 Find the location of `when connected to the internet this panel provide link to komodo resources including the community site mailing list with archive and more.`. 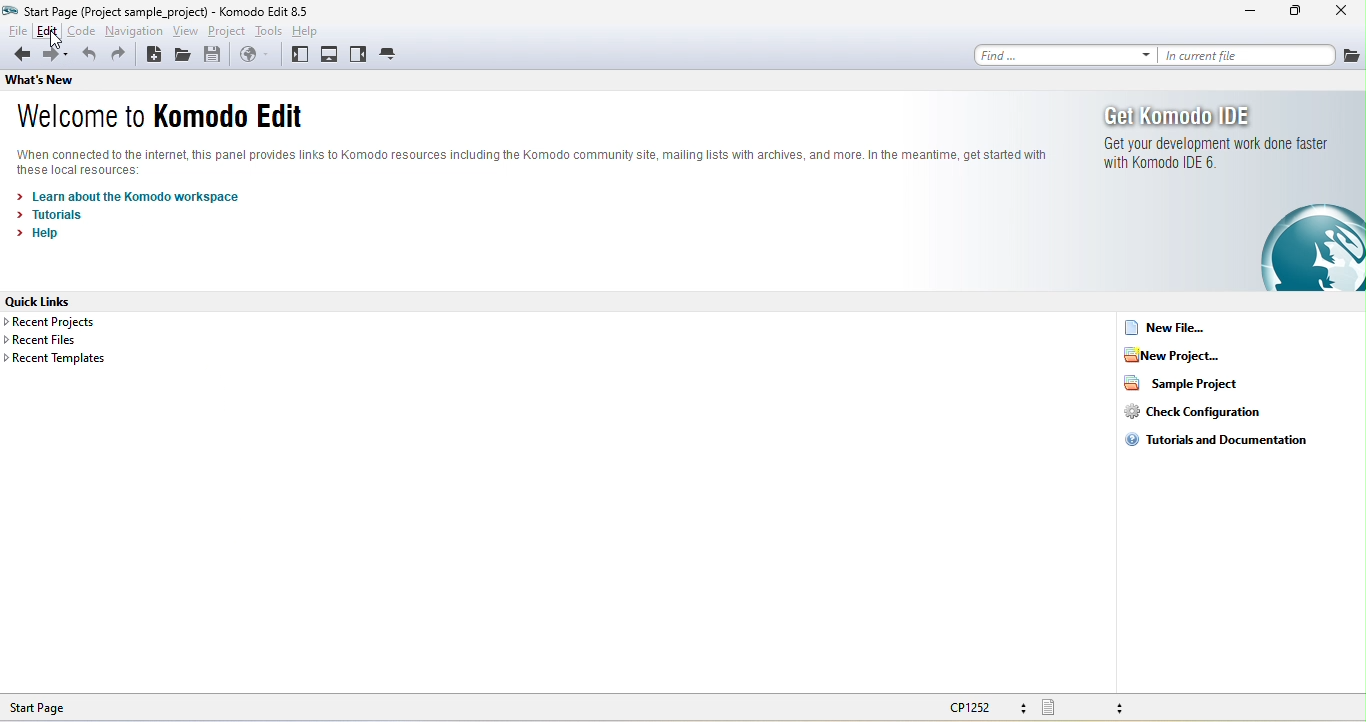

when connected to the internet this panel provide link to komodo resources including the community site mailing list with archive and more. is located at coordinates (538, 161).